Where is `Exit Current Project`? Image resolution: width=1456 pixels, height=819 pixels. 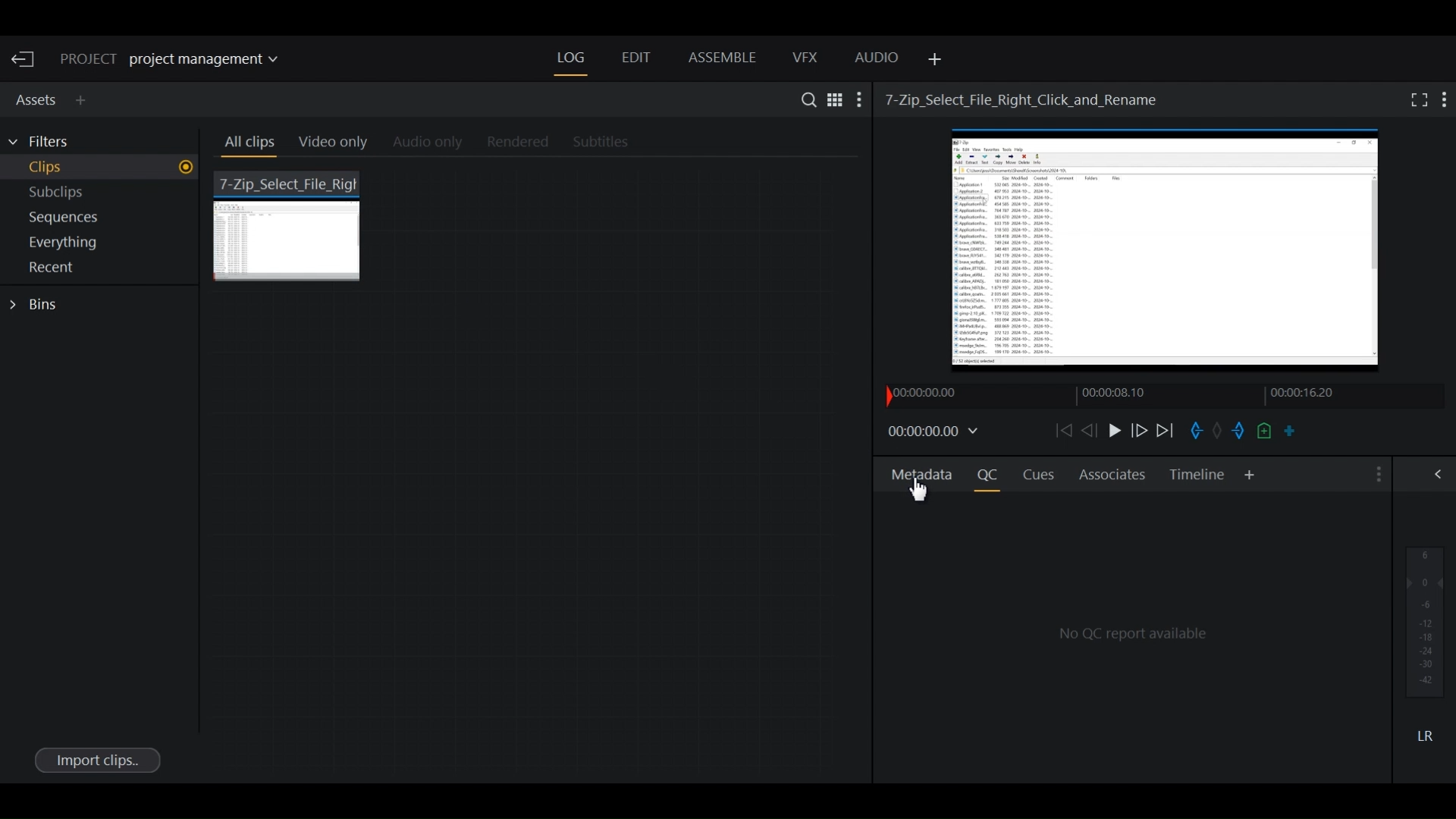
Exit Current Project is located at coordinates (26, 60).